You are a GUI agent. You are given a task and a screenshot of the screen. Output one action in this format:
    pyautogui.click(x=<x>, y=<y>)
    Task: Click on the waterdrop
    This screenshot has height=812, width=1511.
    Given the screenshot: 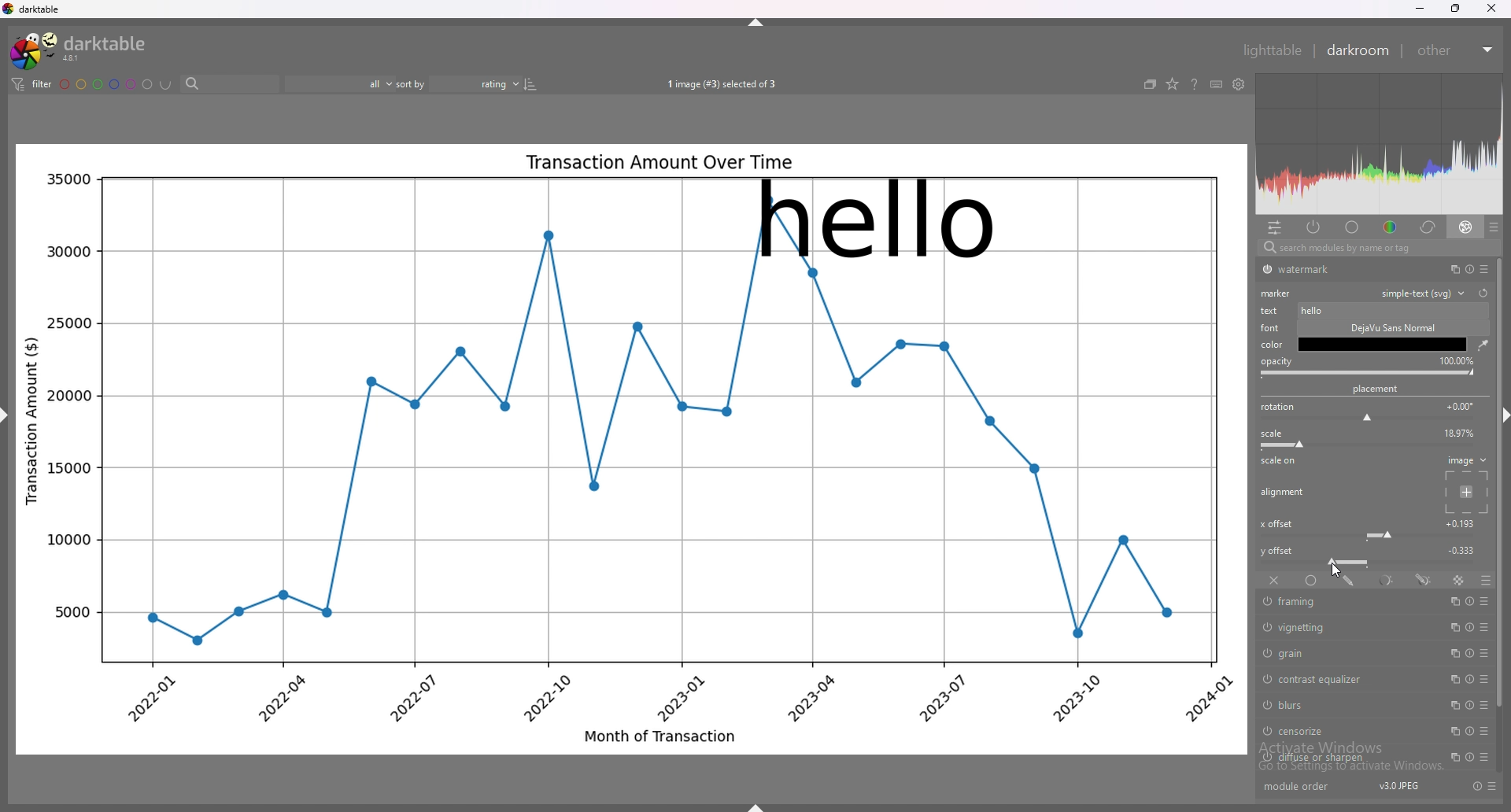 What is the action you would take?
    pyautogui.click(x=1482, y=345)
    